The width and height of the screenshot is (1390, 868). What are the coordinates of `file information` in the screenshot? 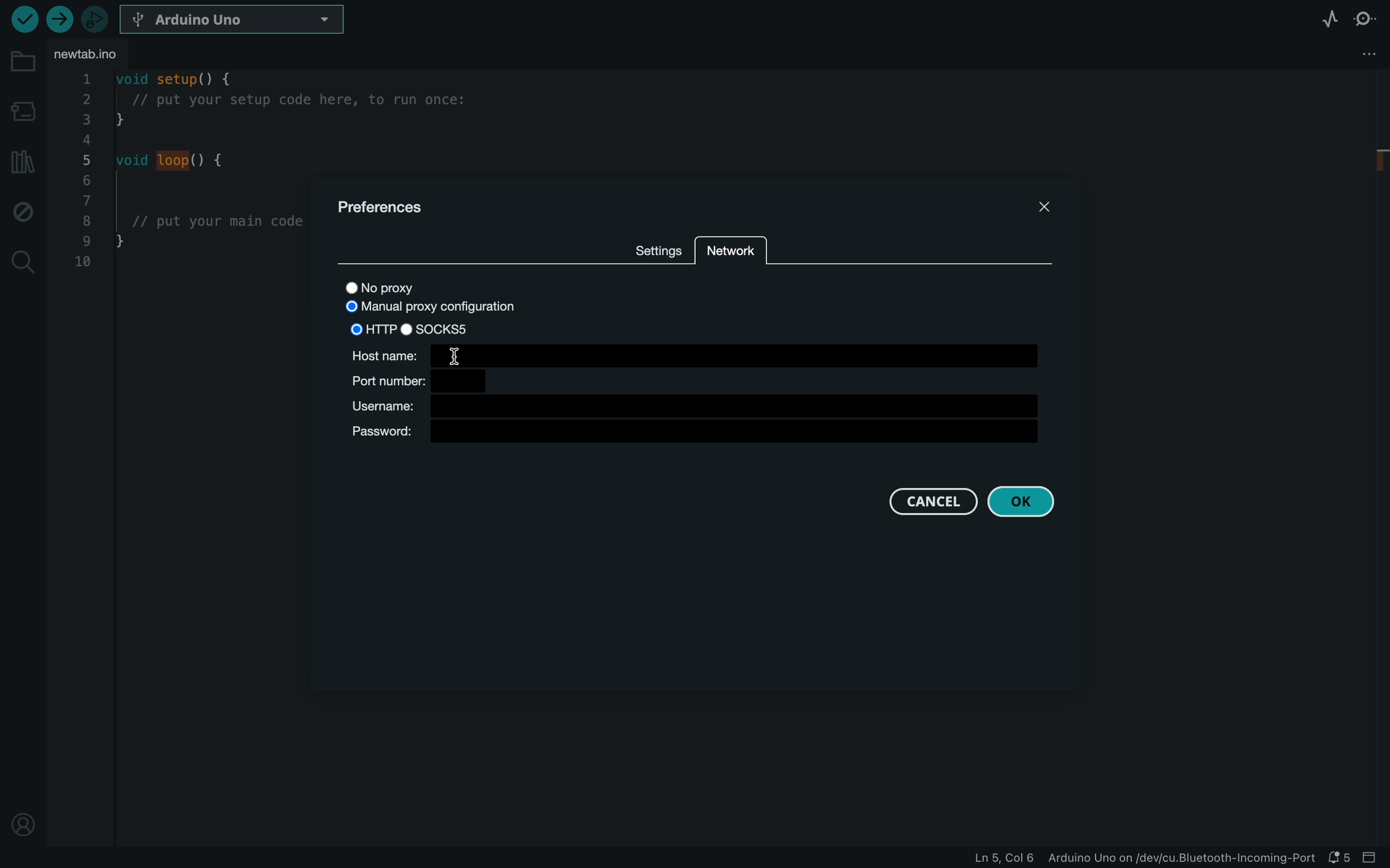 It's located at (1142, 858).